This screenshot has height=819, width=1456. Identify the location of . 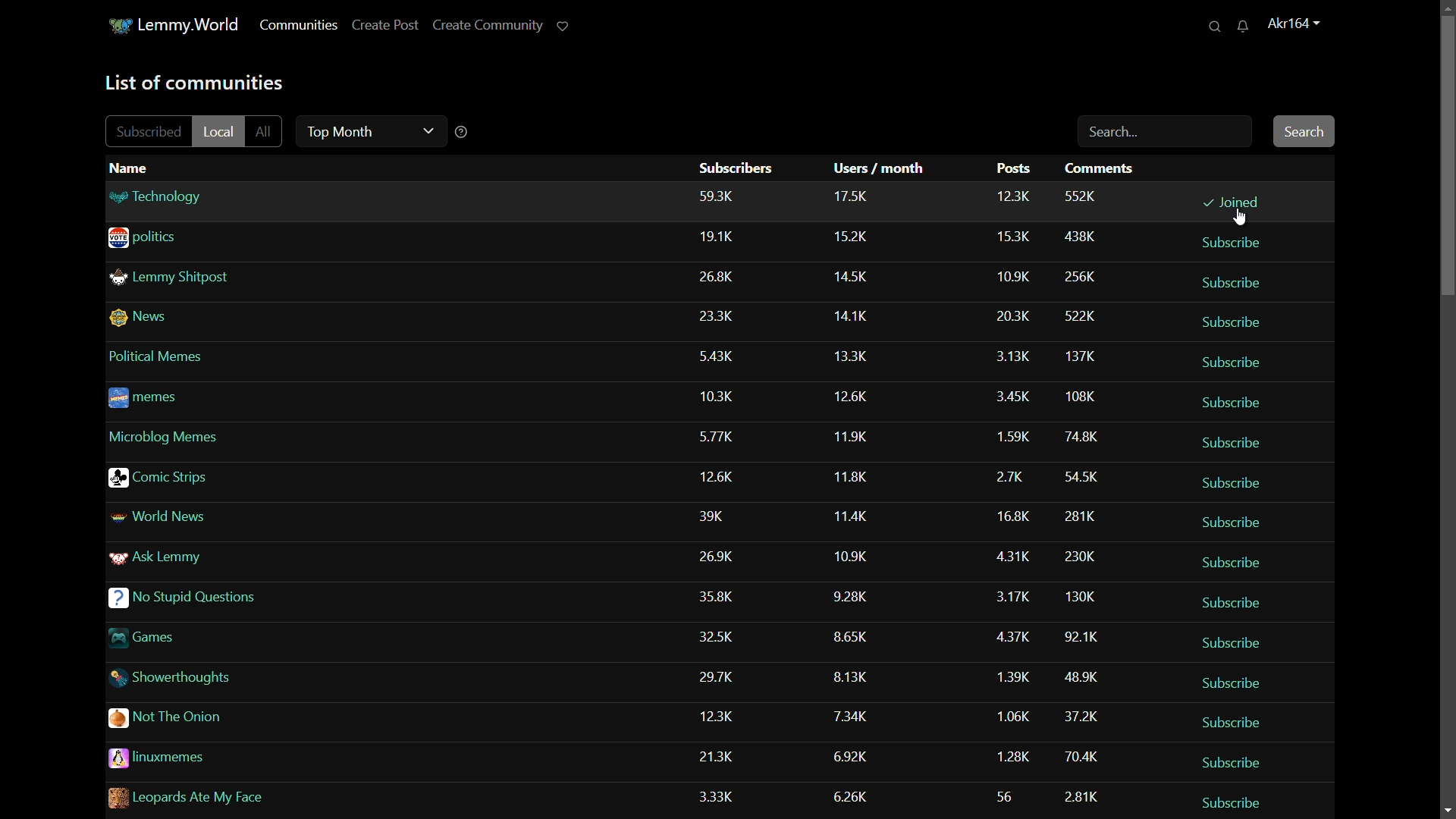
(721, 359).